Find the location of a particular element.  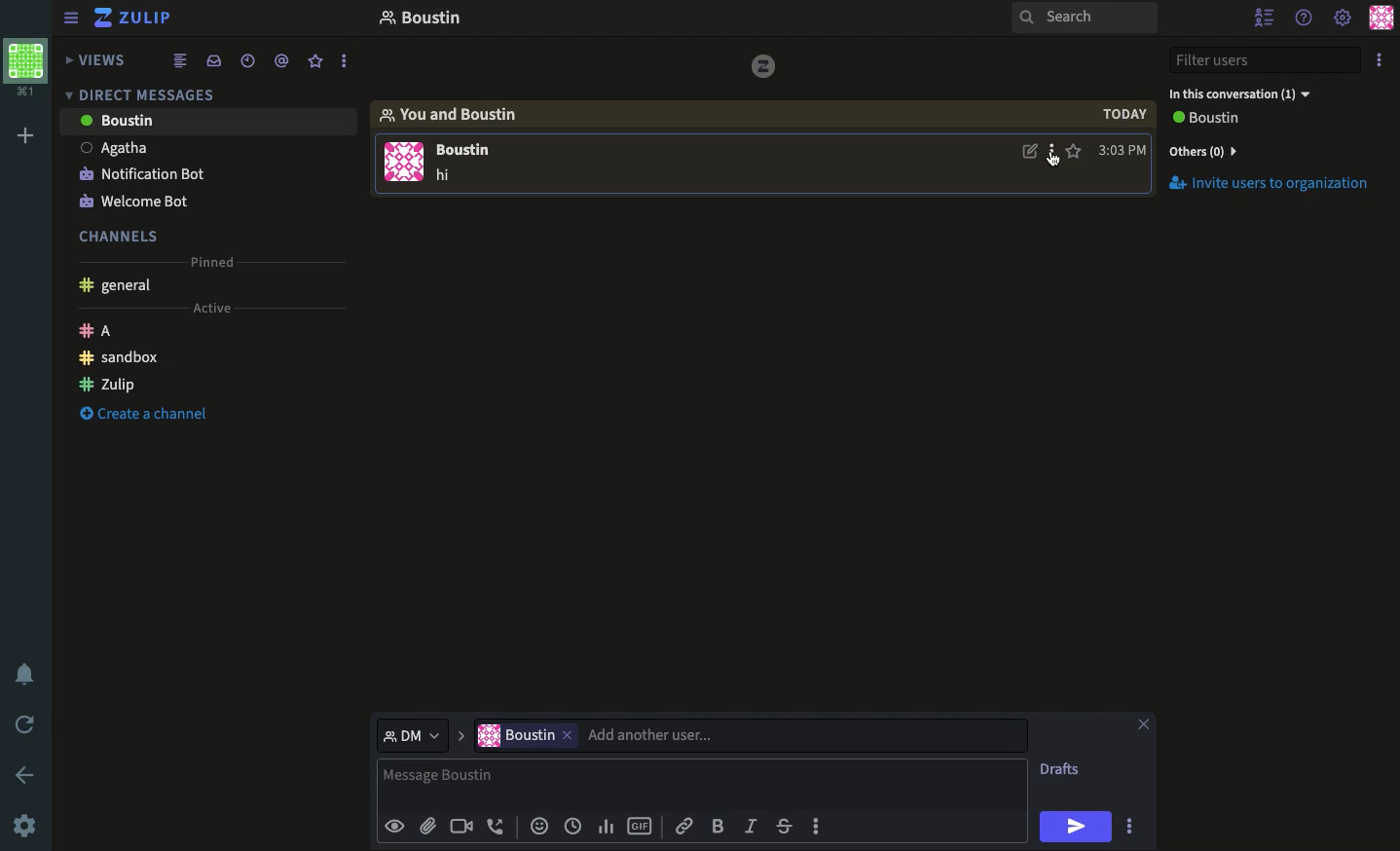

Options is located at coordinates (1053, 153).